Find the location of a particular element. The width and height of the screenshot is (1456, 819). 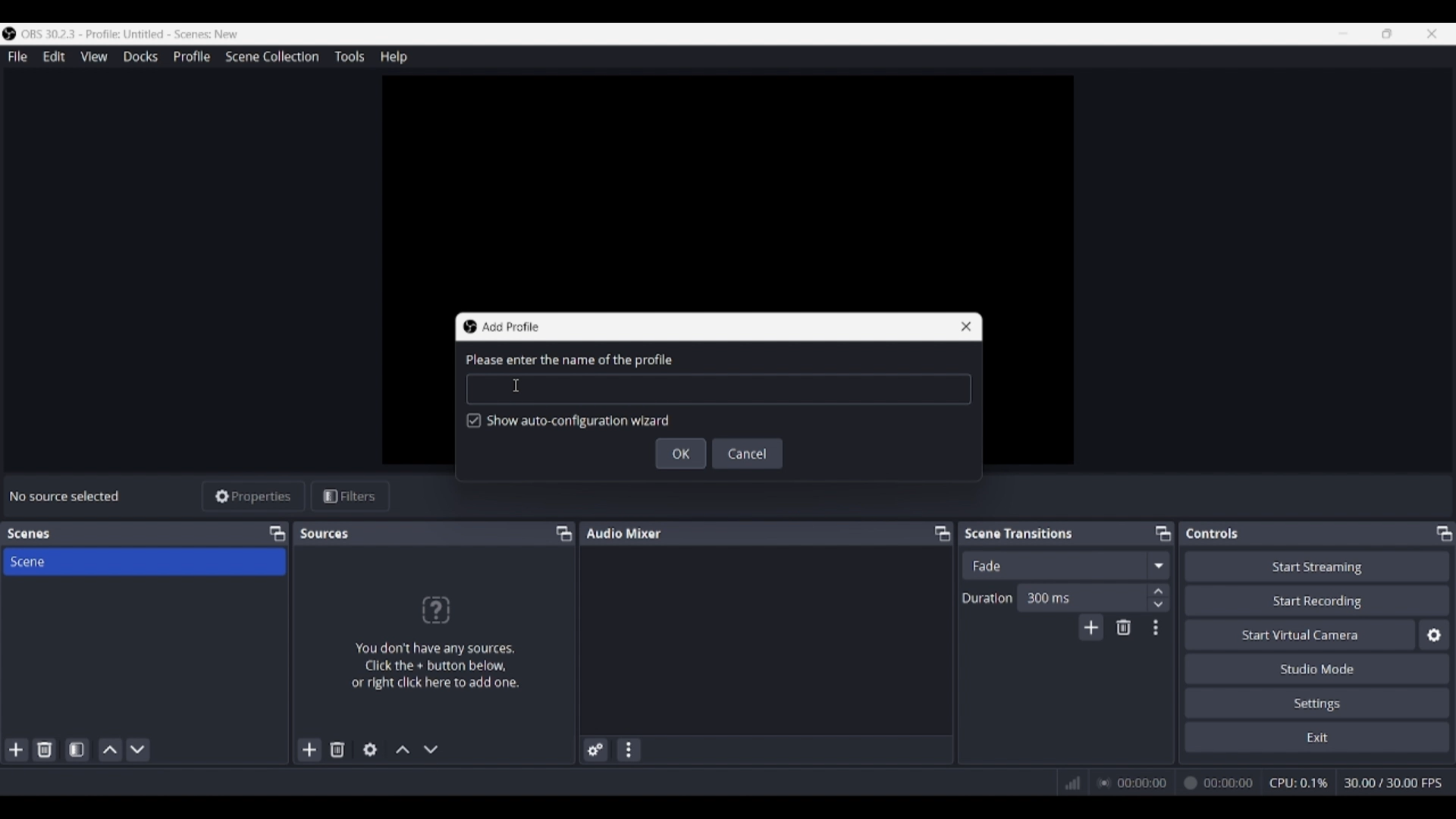

Minimize is located at coordinates (1343, 33).